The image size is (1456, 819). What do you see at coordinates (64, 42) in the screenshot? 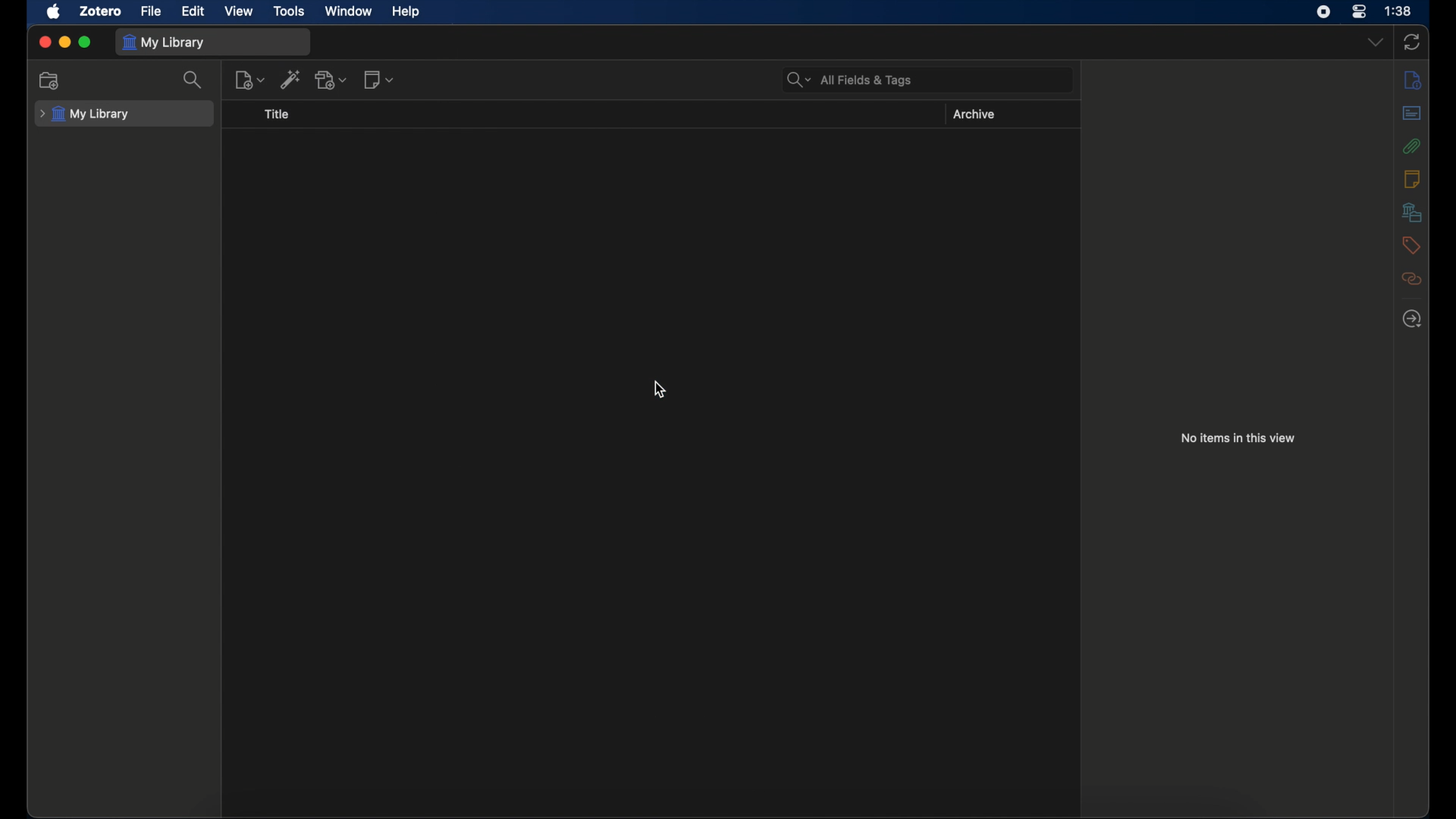
I see `minimize` at bounding box center [64, 42].